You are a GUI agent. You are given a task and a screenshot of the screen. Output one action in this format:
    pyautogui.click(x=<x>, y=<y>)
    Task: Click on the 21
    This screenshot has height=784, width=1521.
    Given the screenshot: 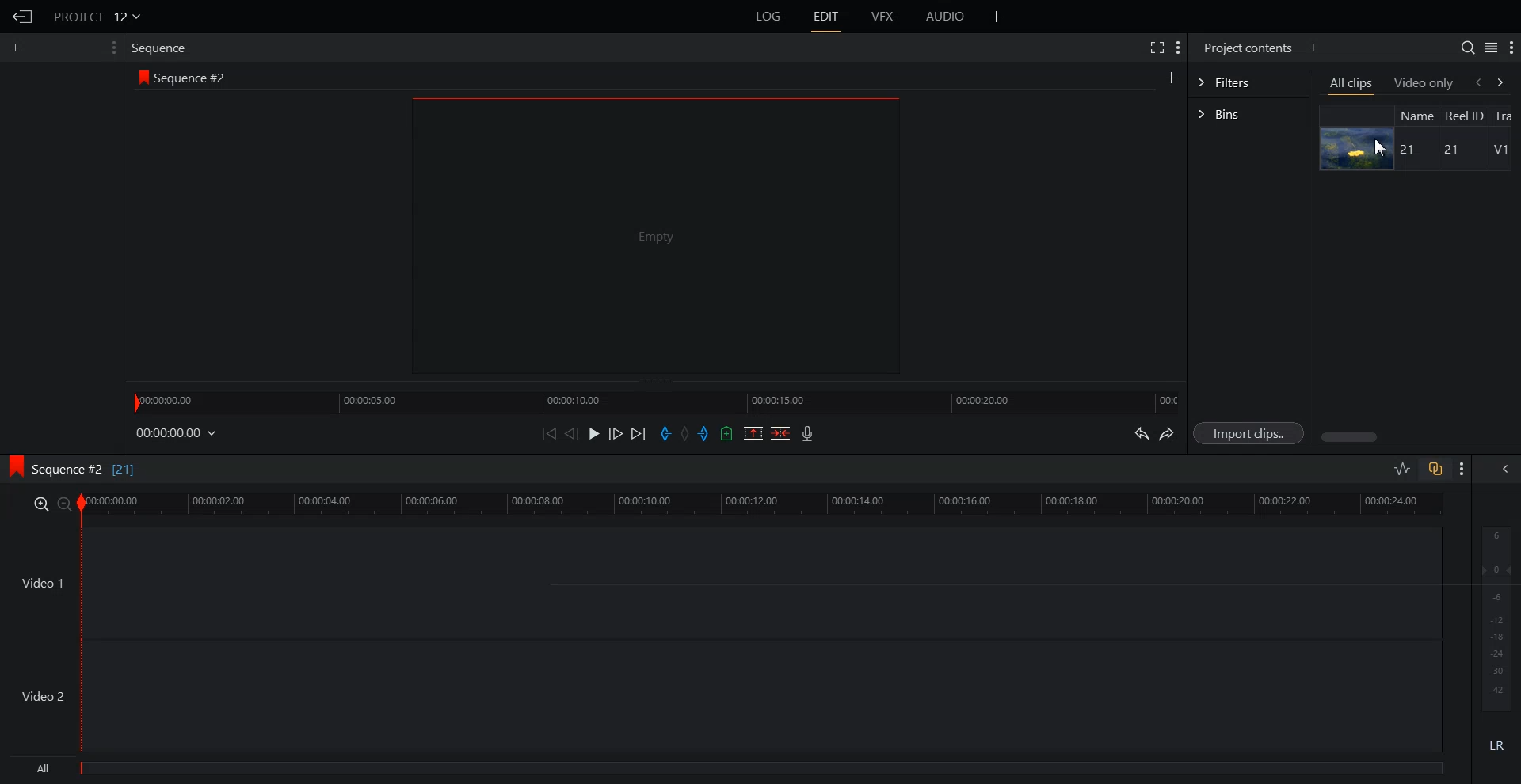 What is the action you would take?
    pyautogui.click(x=1448, y=150)
    